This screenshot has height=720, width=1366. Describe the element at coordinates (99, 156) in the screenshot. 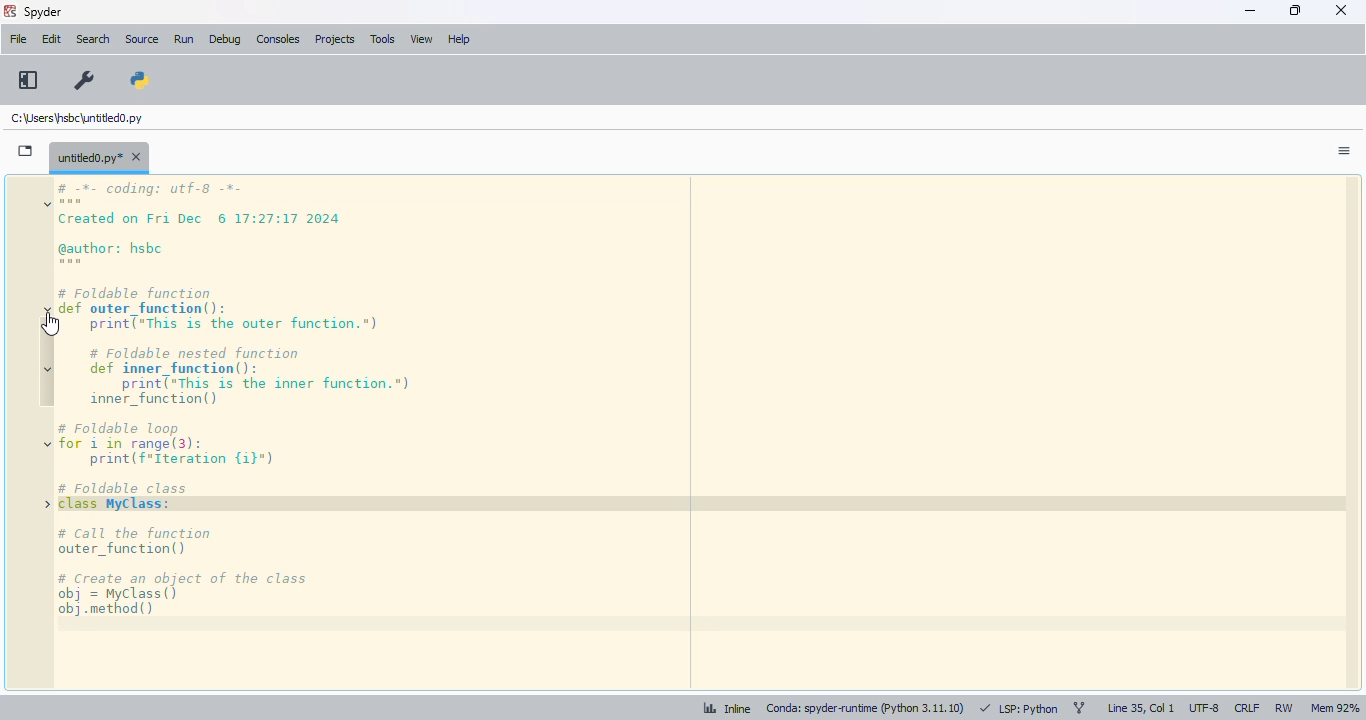

I see `untitled0.py` at that location.